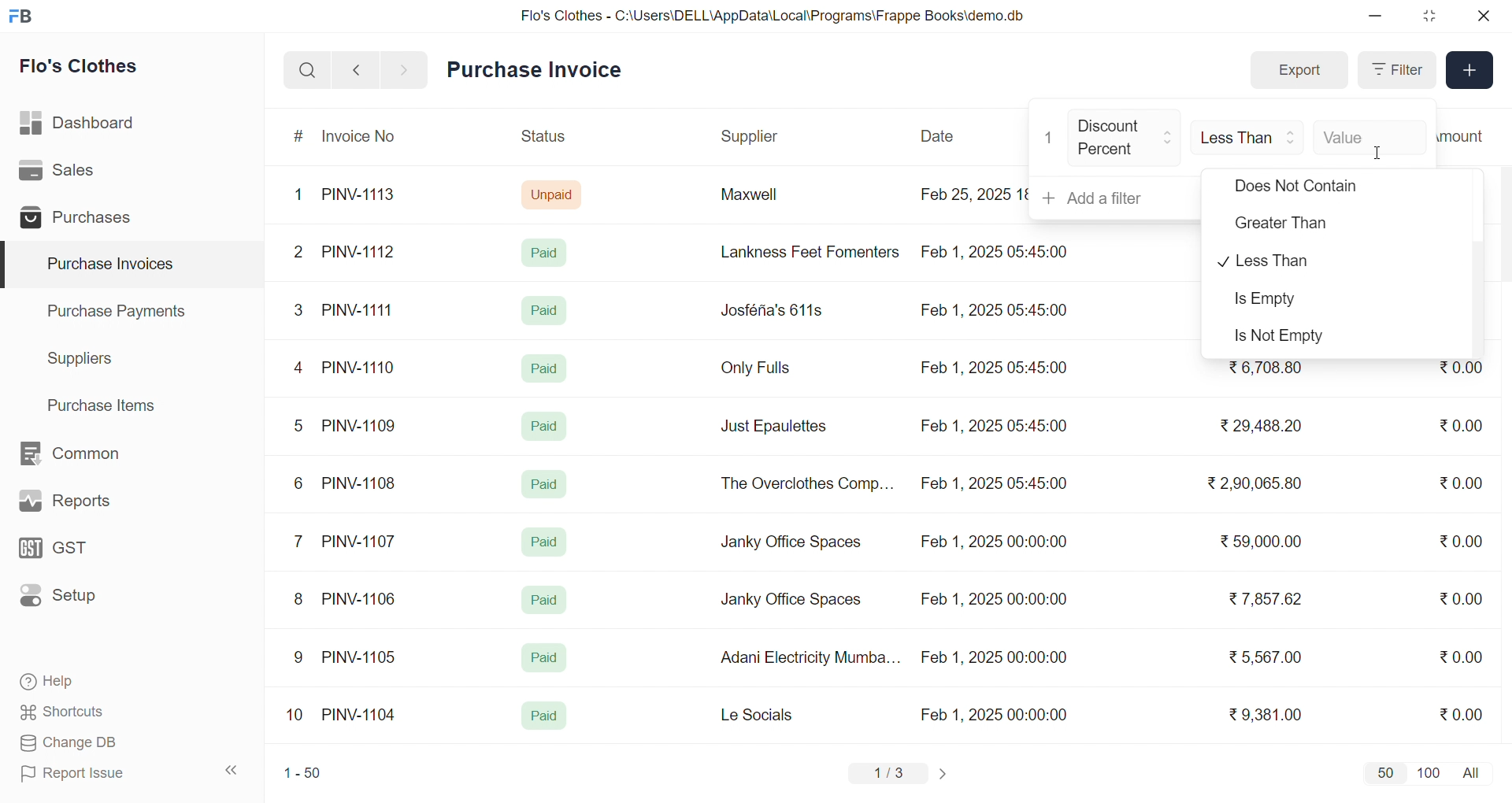  Describe the element at coordinates (359, 309) in the screenshot. I see `PINV-1111` at that location.